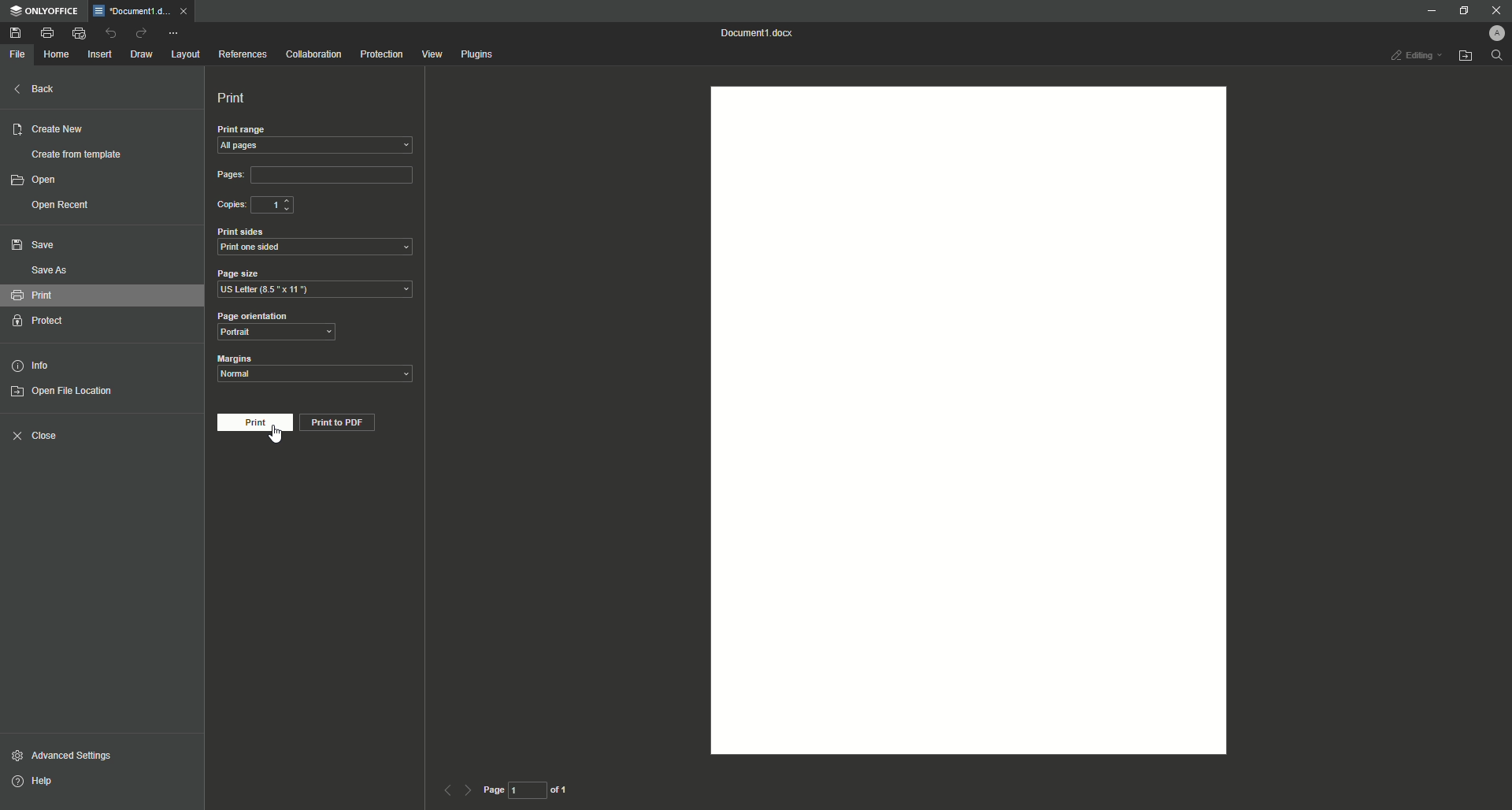 Image resolution: width=1512 pixels, height=810 pixels. Describe the element at coordinates (112, 32) in the screenshot. I see `Undo` at that location.